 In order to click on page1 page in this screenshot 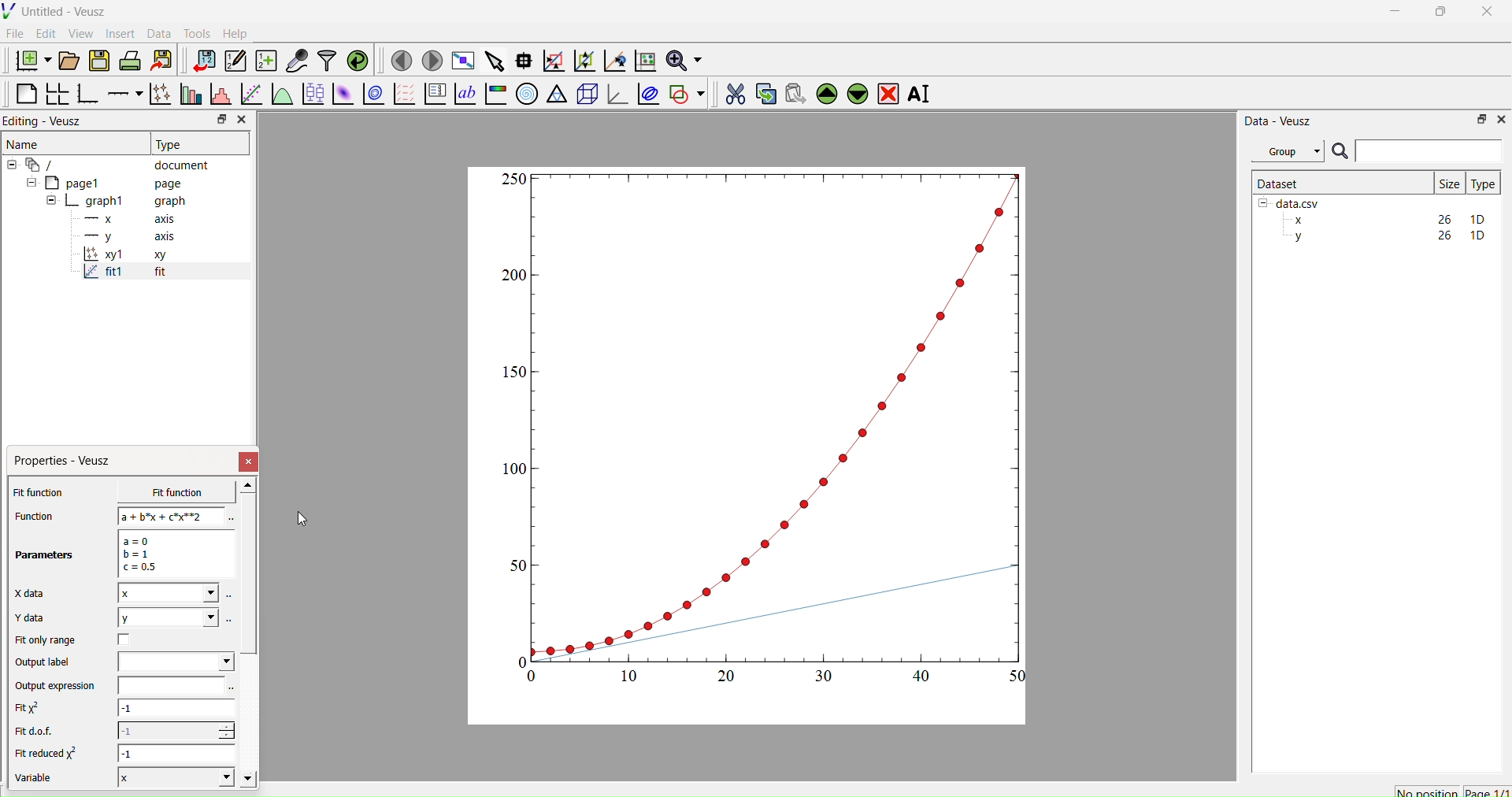, I will do `click(105, 182)`.